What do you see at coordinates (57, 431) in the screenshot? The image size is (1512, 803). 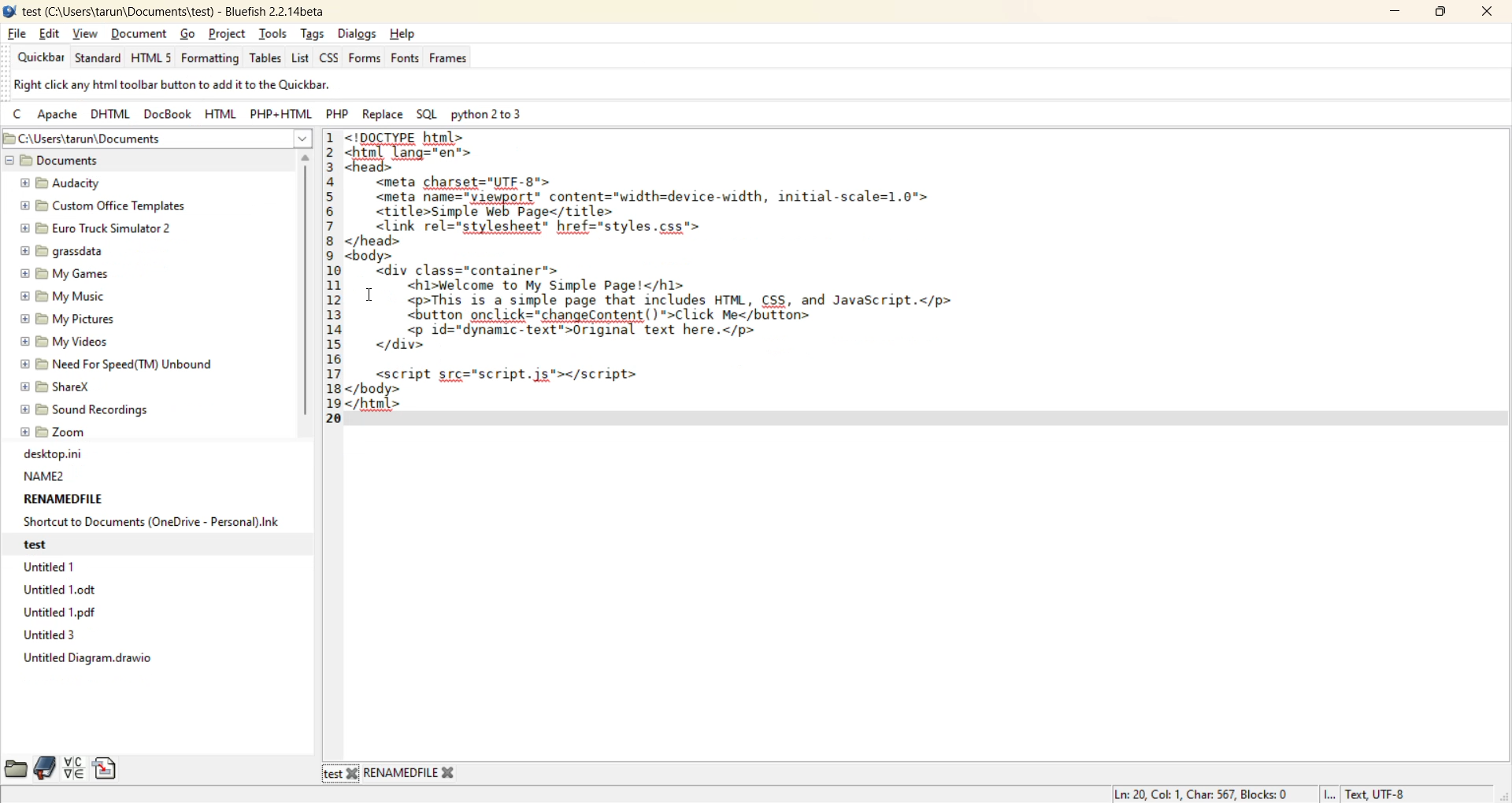 I see `zoom` at bounding box center [57, 431].